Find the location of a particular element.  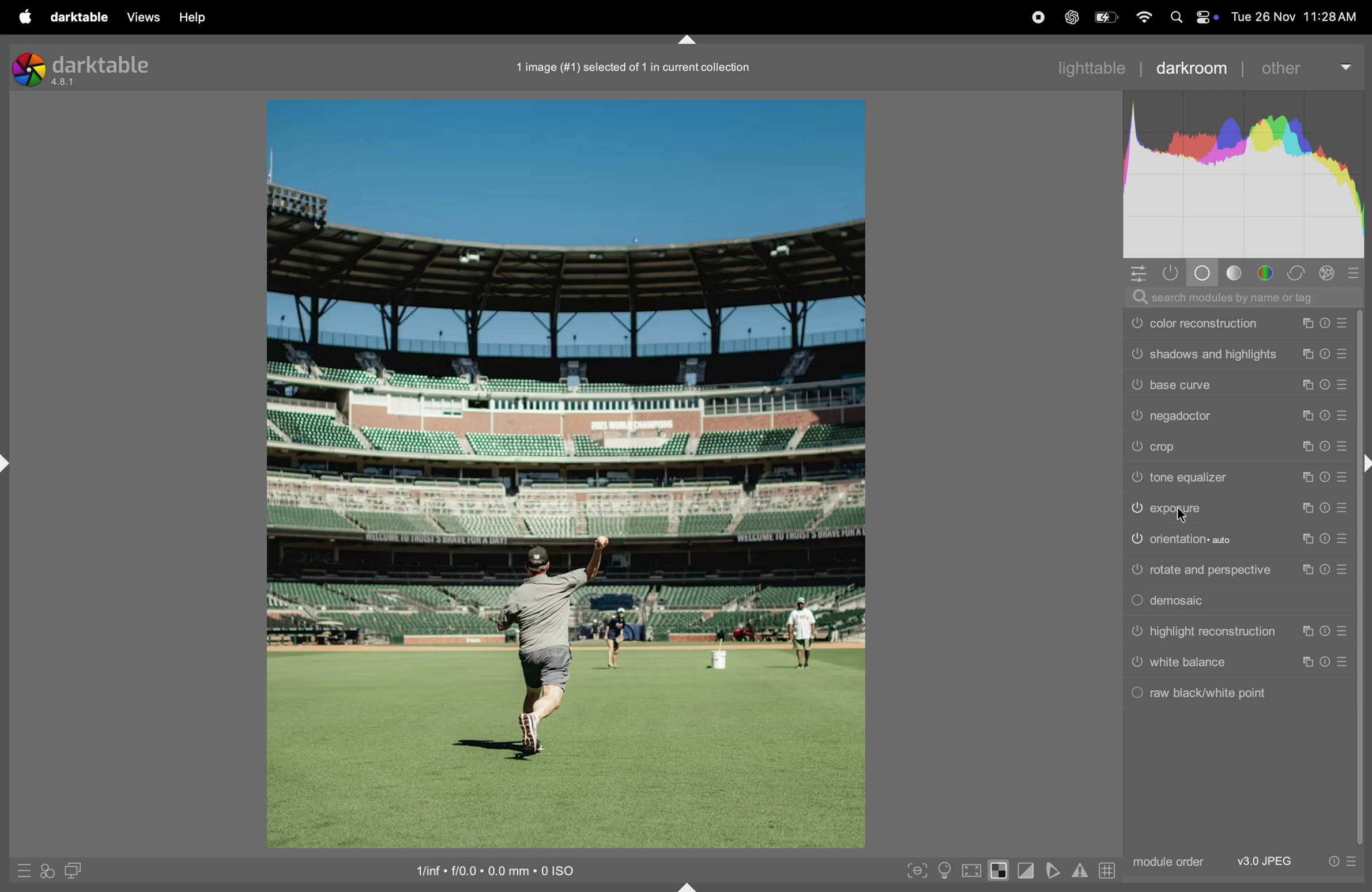

reset presets is located at coordinates (1327, 630).